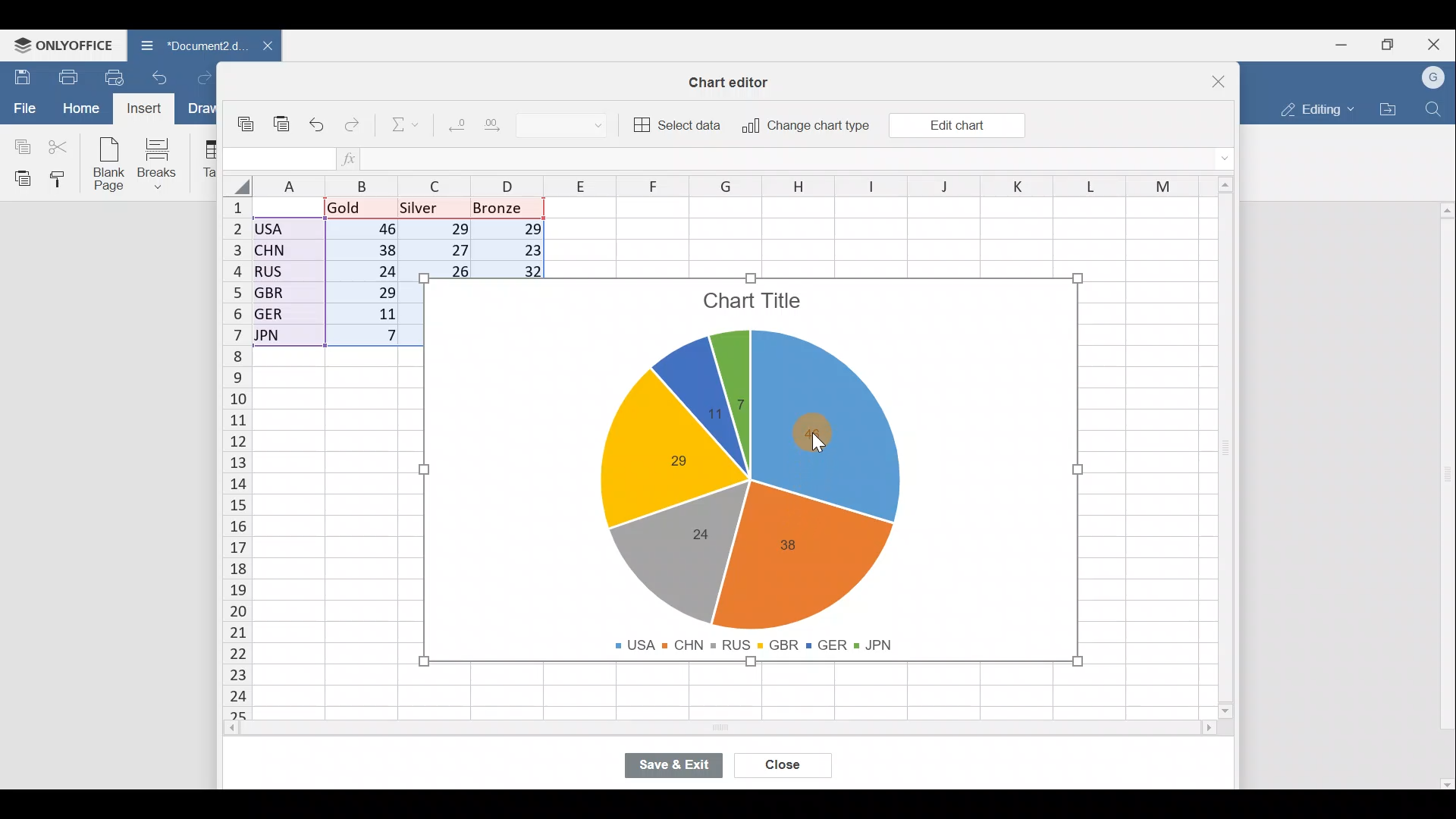 The width and height of the screenshot is (1456, 819). Describe the element at coordinates (315, 272) in the screenshot. I see `Data` at that location.